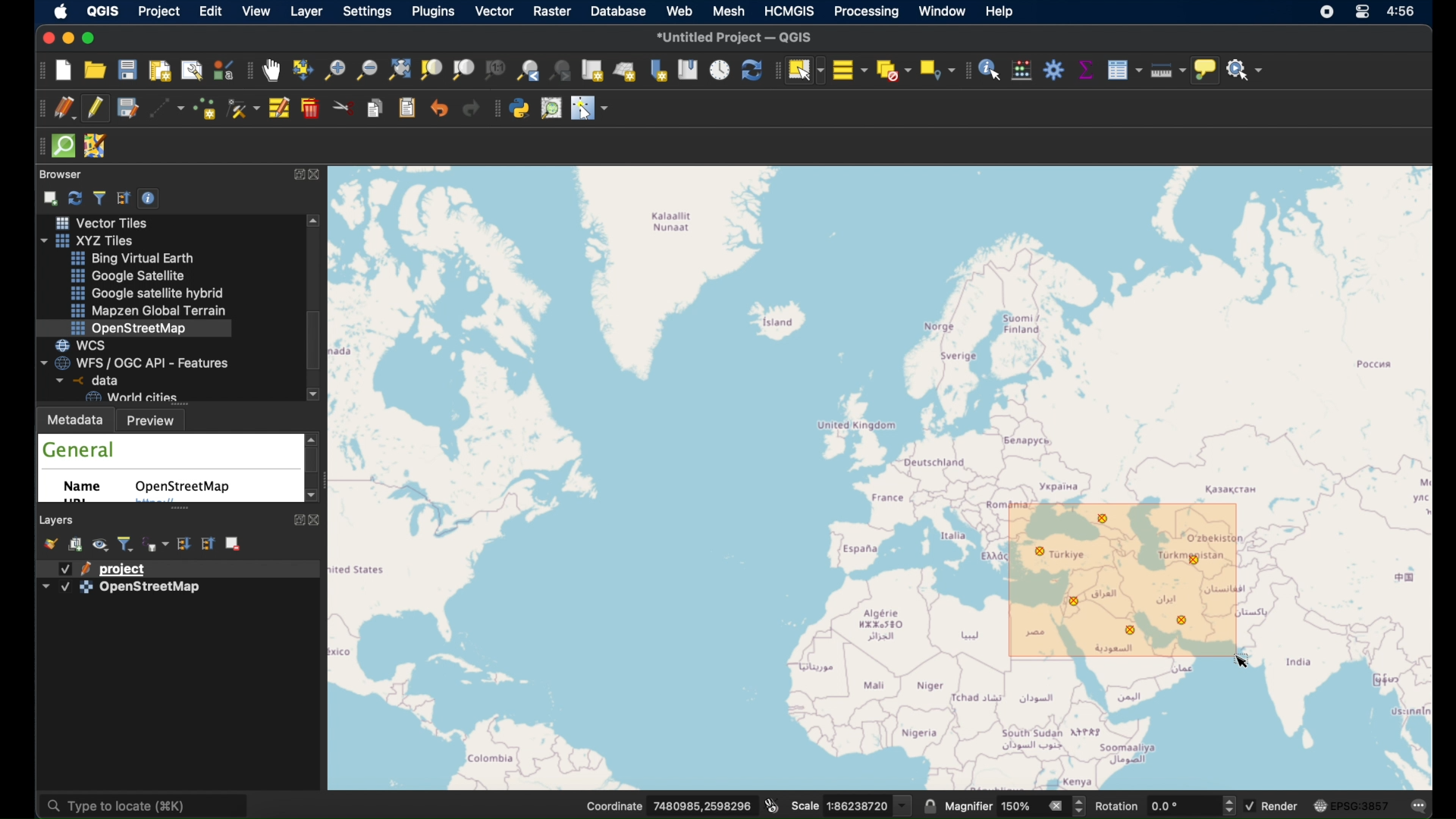 Image resolution: width=1456 pixels, height=819 pixels. What do you see at coordinates (64, 108) in the screenshot?
I see `current edits` at bounding box center [64, 108].